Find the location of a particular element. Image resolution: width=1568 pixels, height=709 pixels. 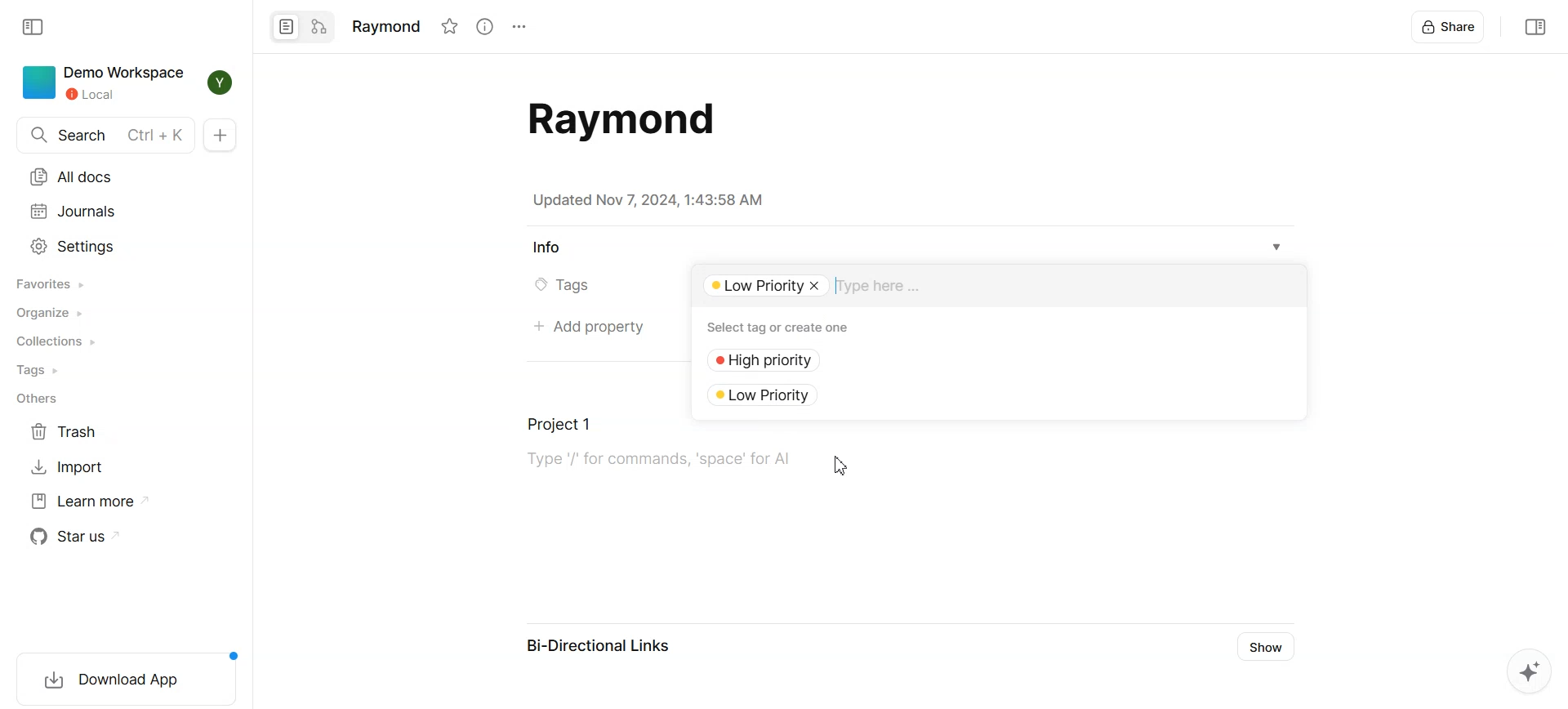

Dropdown is located at coordinates (1277, 247).